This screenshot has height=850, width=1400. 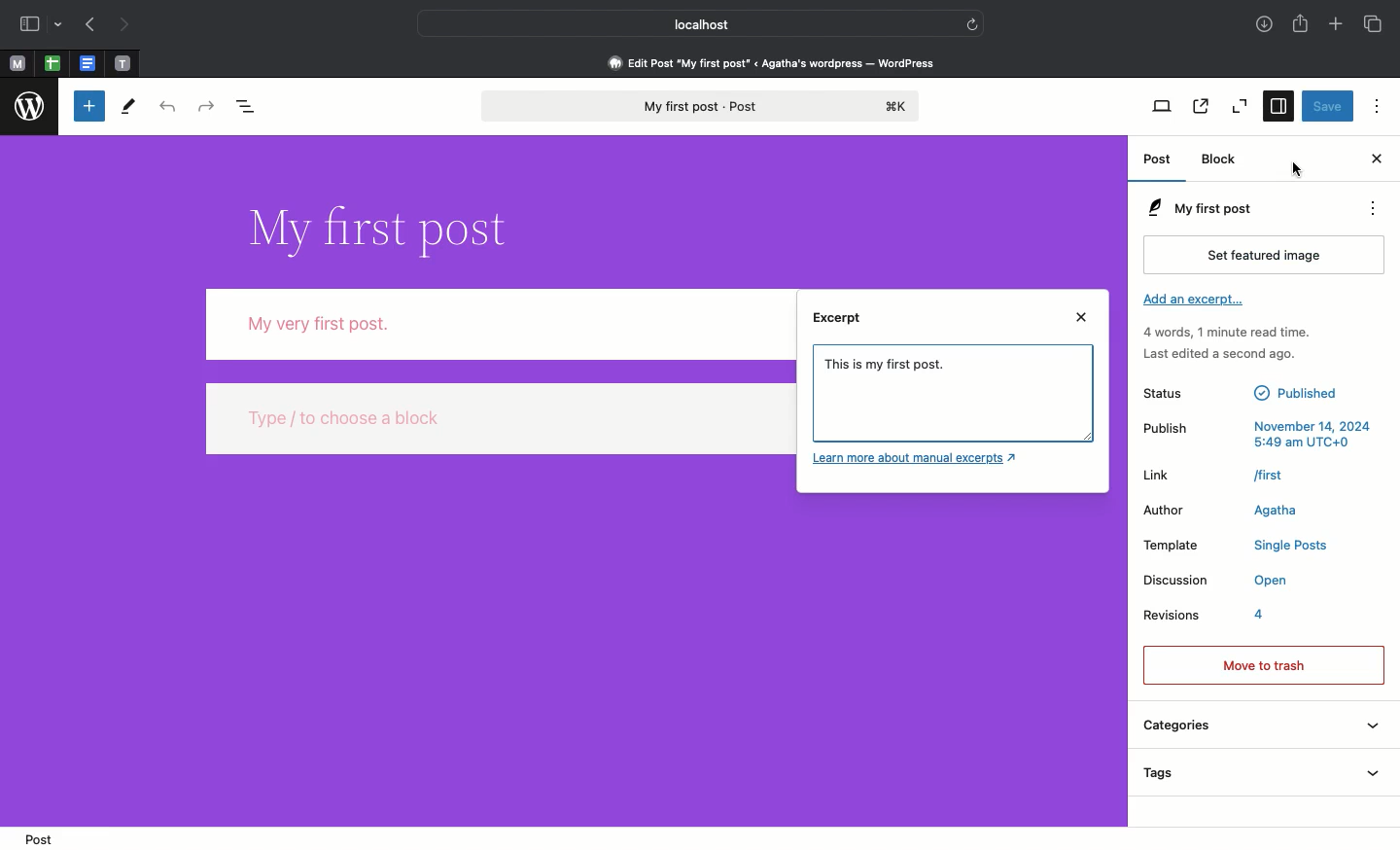 I want to click on excel sheet, so click(x=51, y=62).